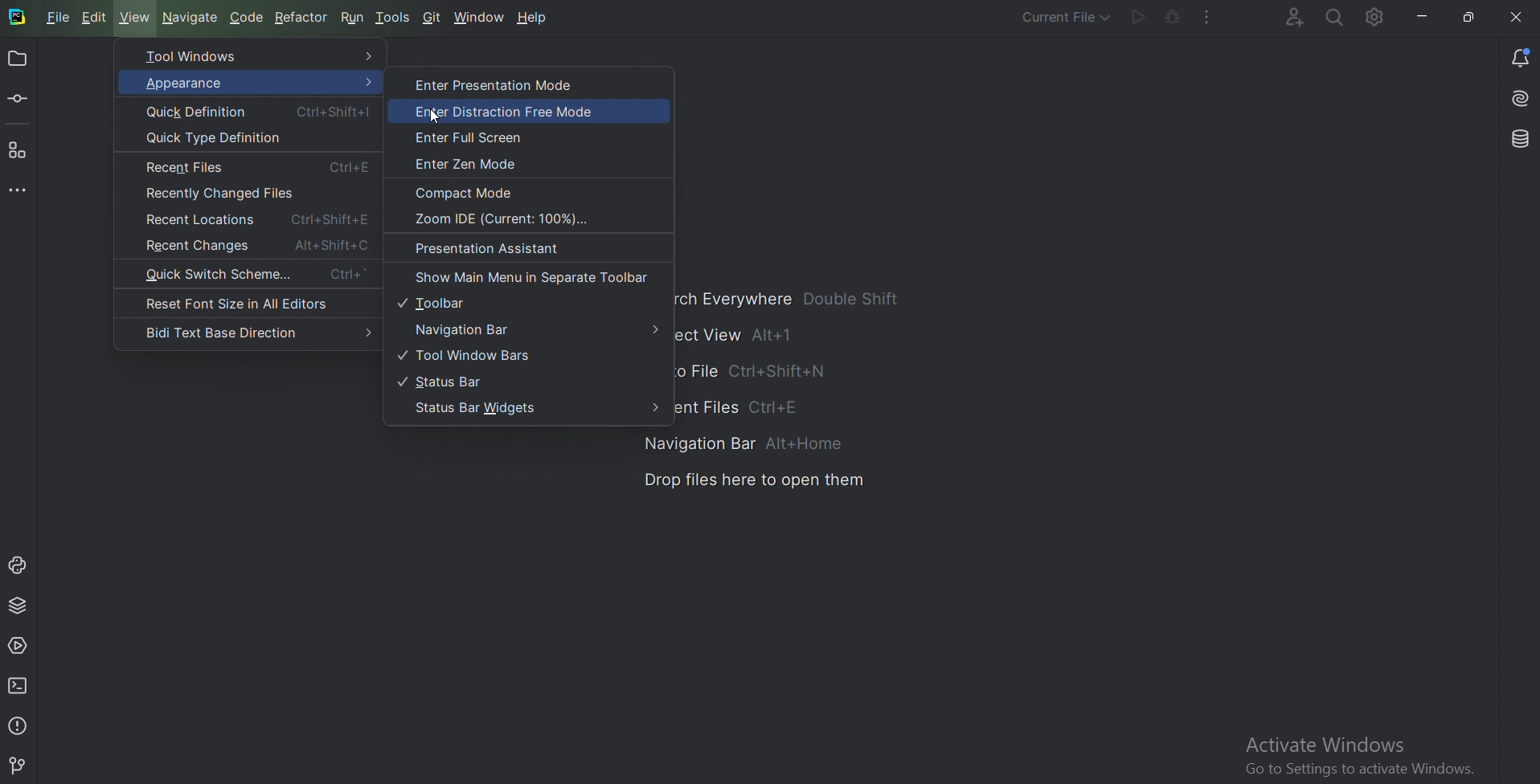 Image resolution: width=1540 pixels, height=784 pixels. Describe the element at coordinates (535, 18) in the screenshot. I see `Help` at that location.